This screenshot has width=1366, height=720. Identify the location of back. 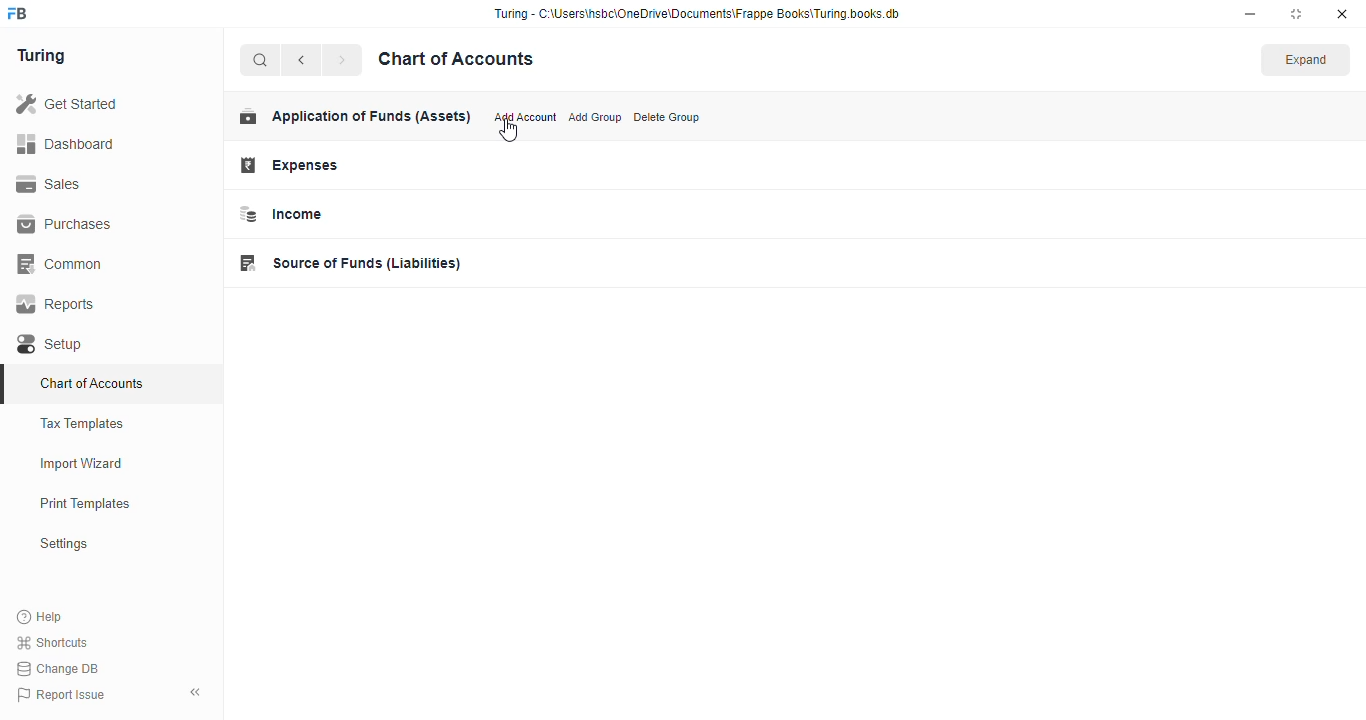
(301, 60).